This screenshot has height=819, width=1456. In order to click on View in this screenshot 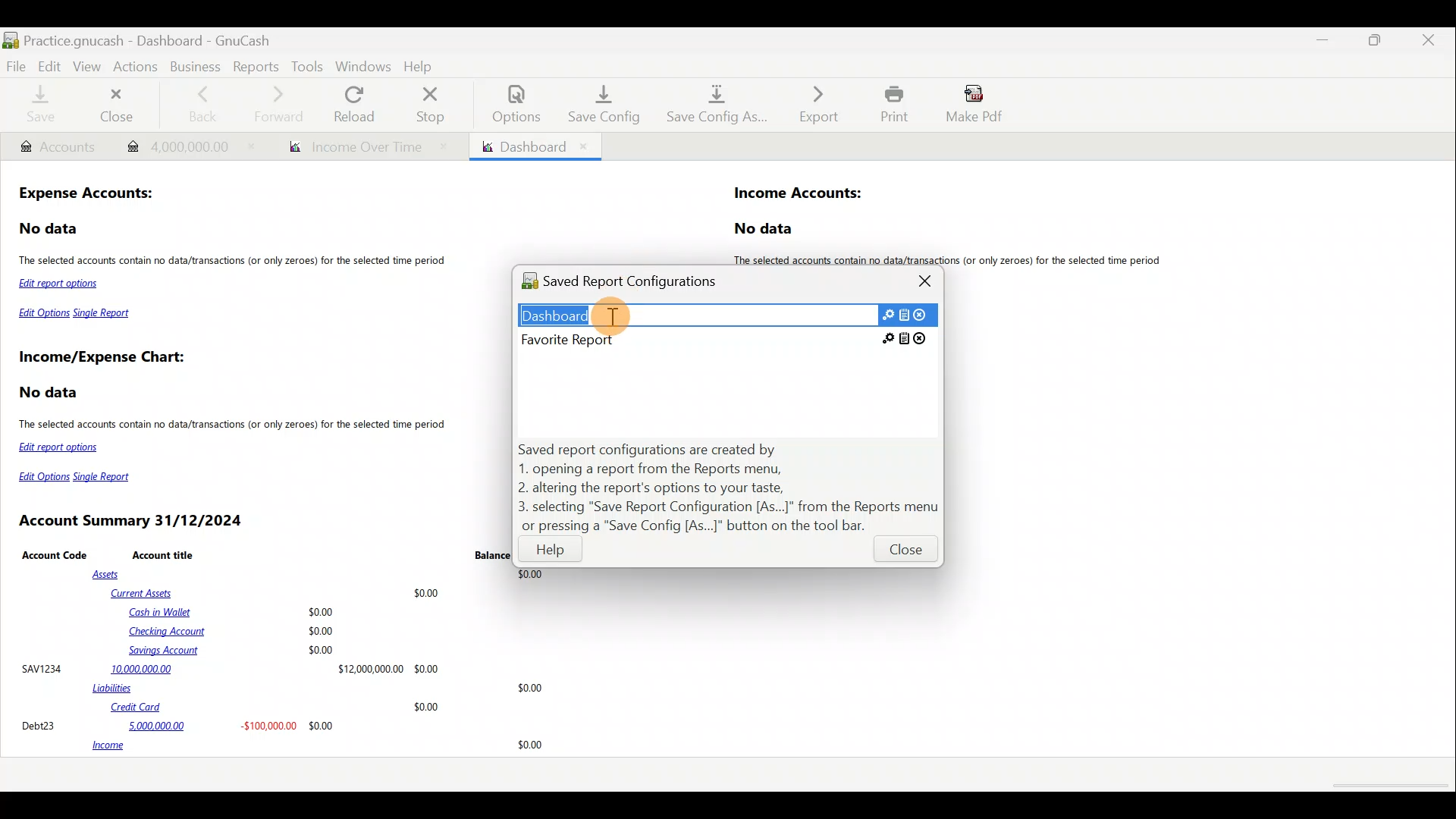, I will do `click(89, 67)`.